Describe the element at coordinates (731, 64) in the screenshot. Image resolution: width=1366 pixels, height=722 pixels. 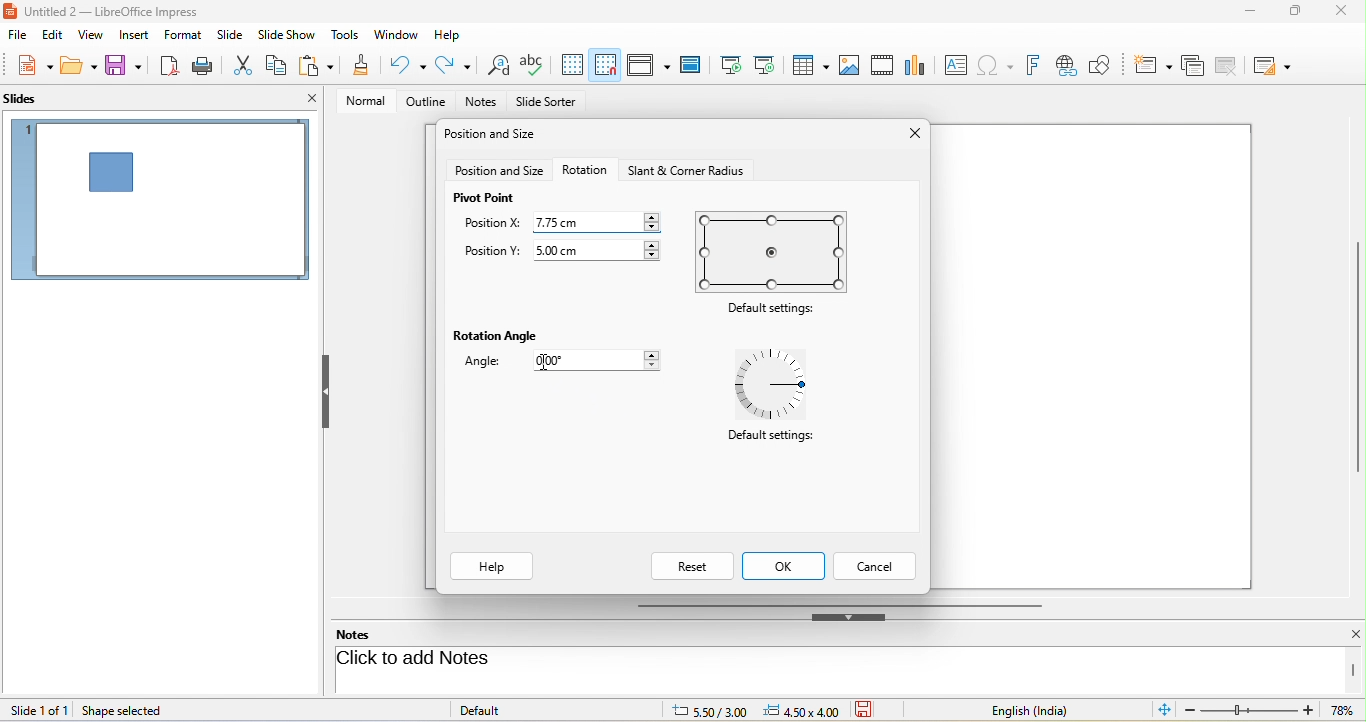
I see `start from first slide ` at that location.